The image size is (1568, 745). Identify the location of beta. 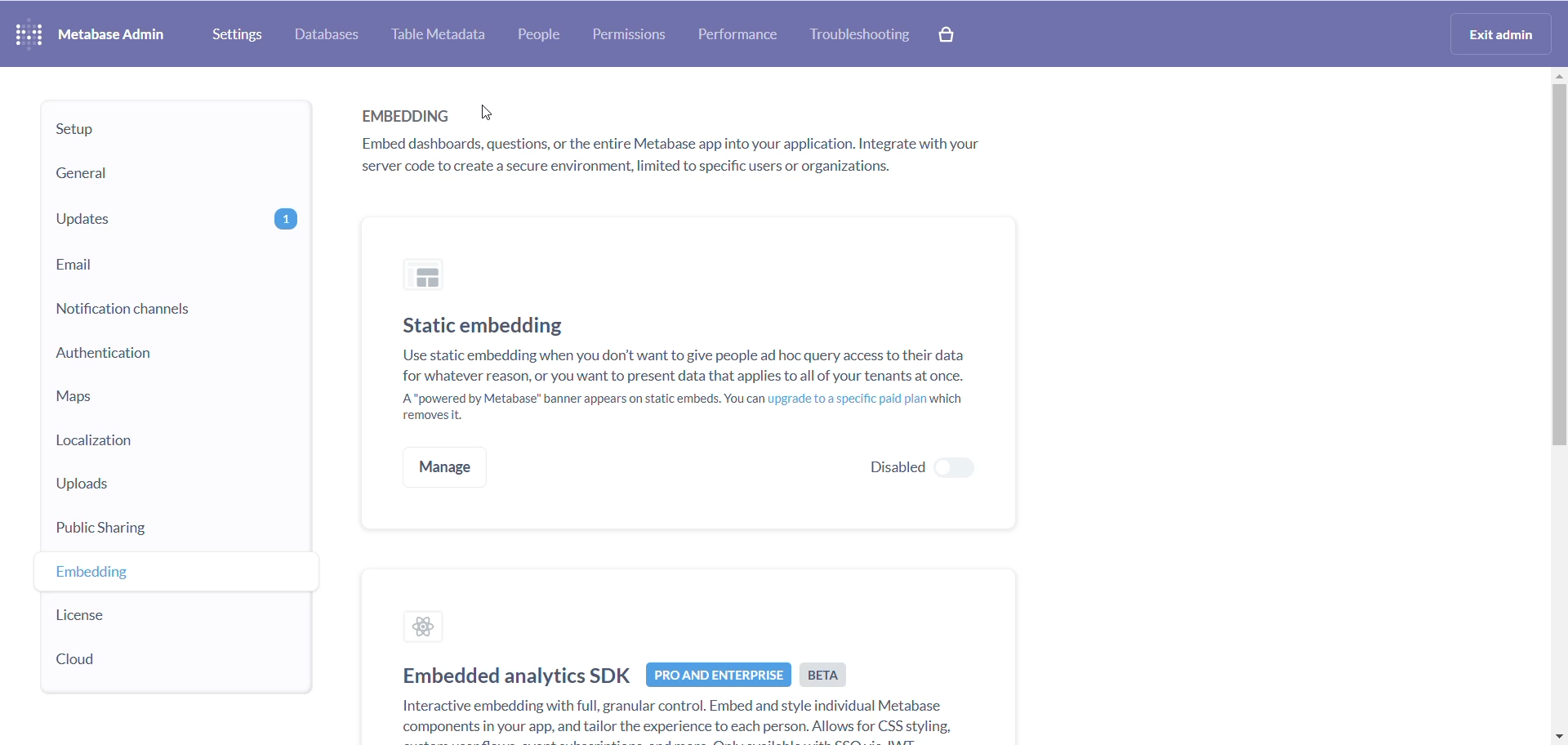
(826, 676).